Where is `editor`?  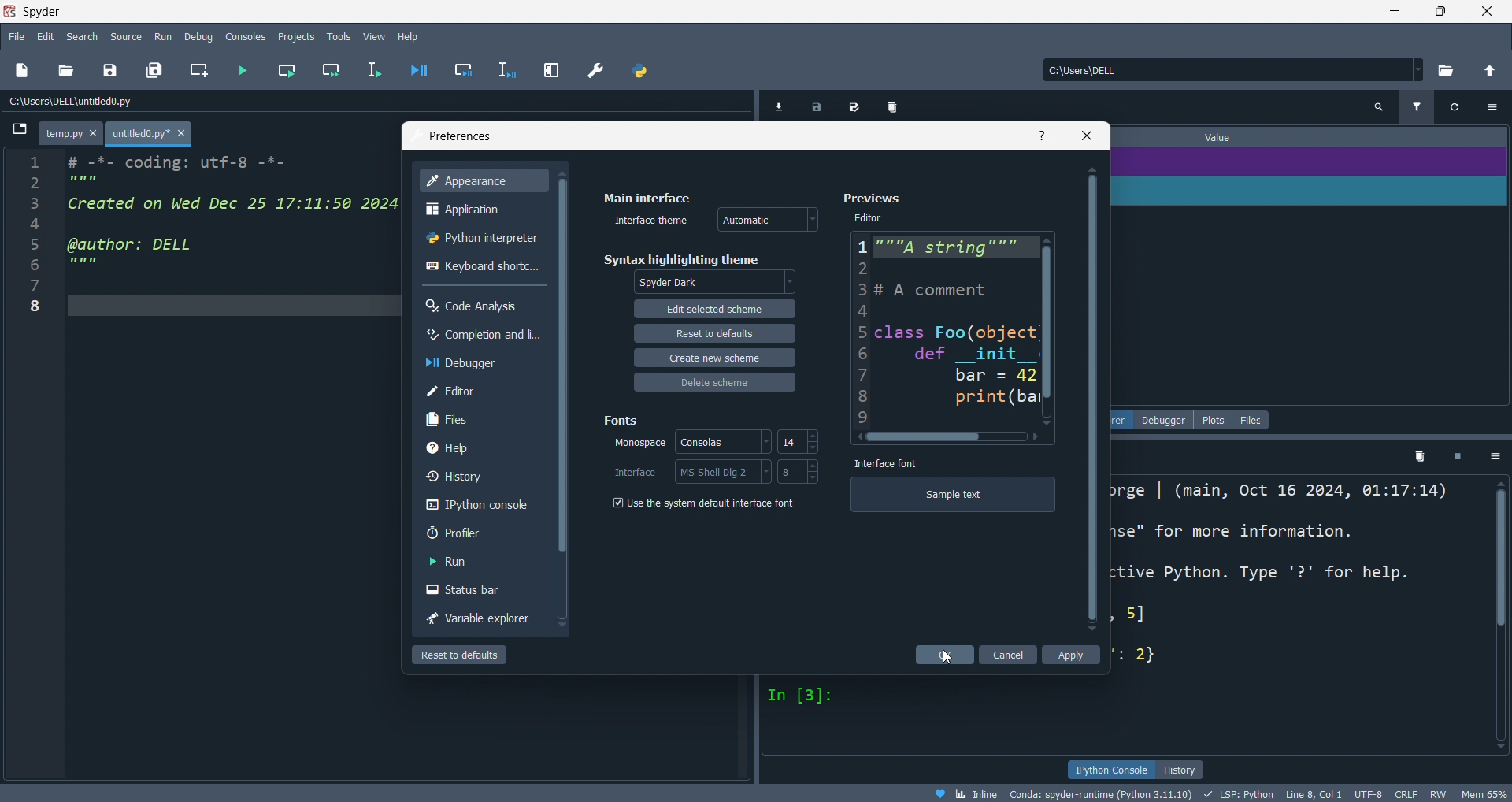
editor is located at coordinates (483, 389).